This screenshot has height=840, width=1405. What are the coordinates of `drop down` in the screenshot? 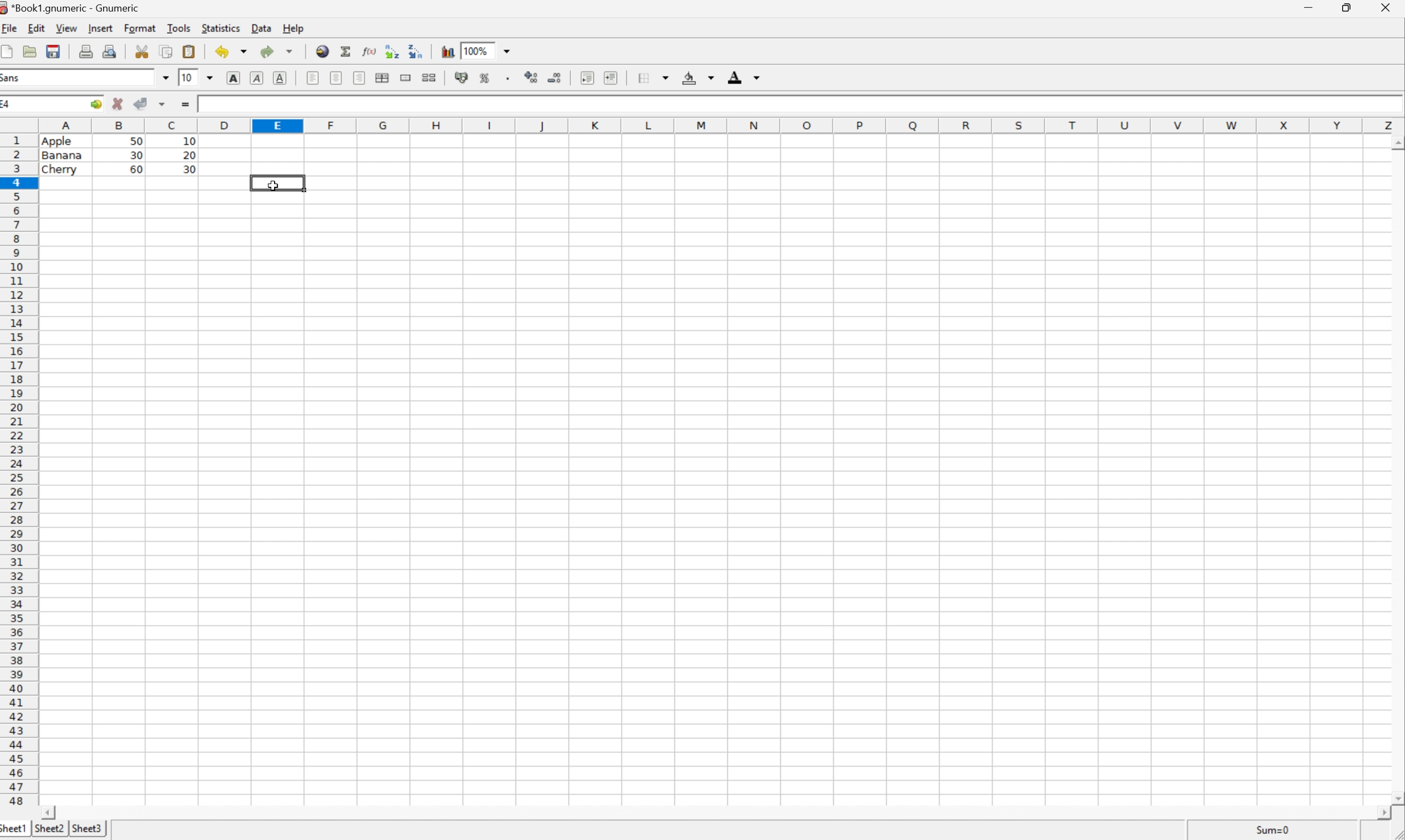 It's located at (165, 76).